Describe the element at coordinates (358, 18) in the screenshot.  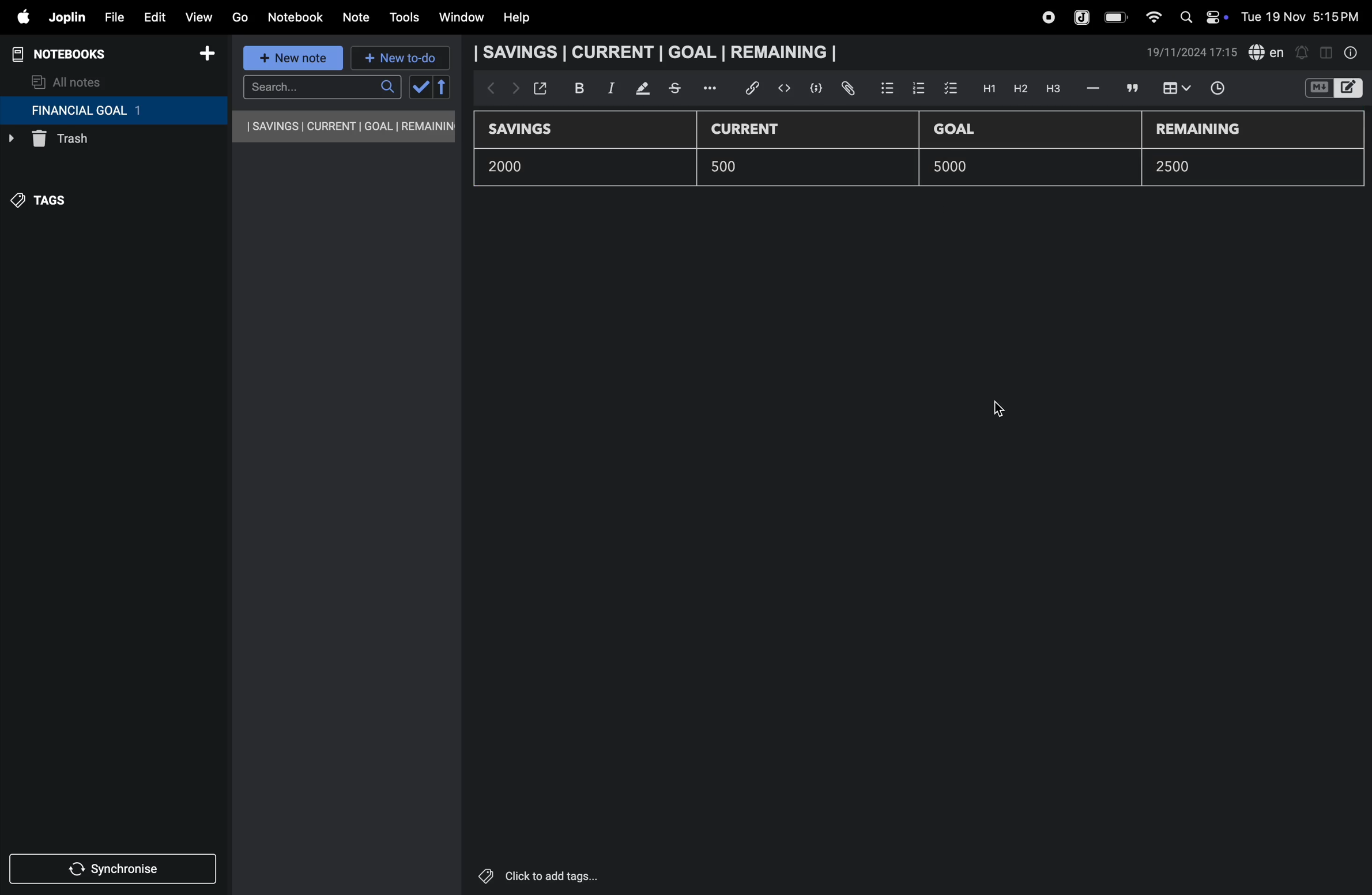
I see `note` at that location.